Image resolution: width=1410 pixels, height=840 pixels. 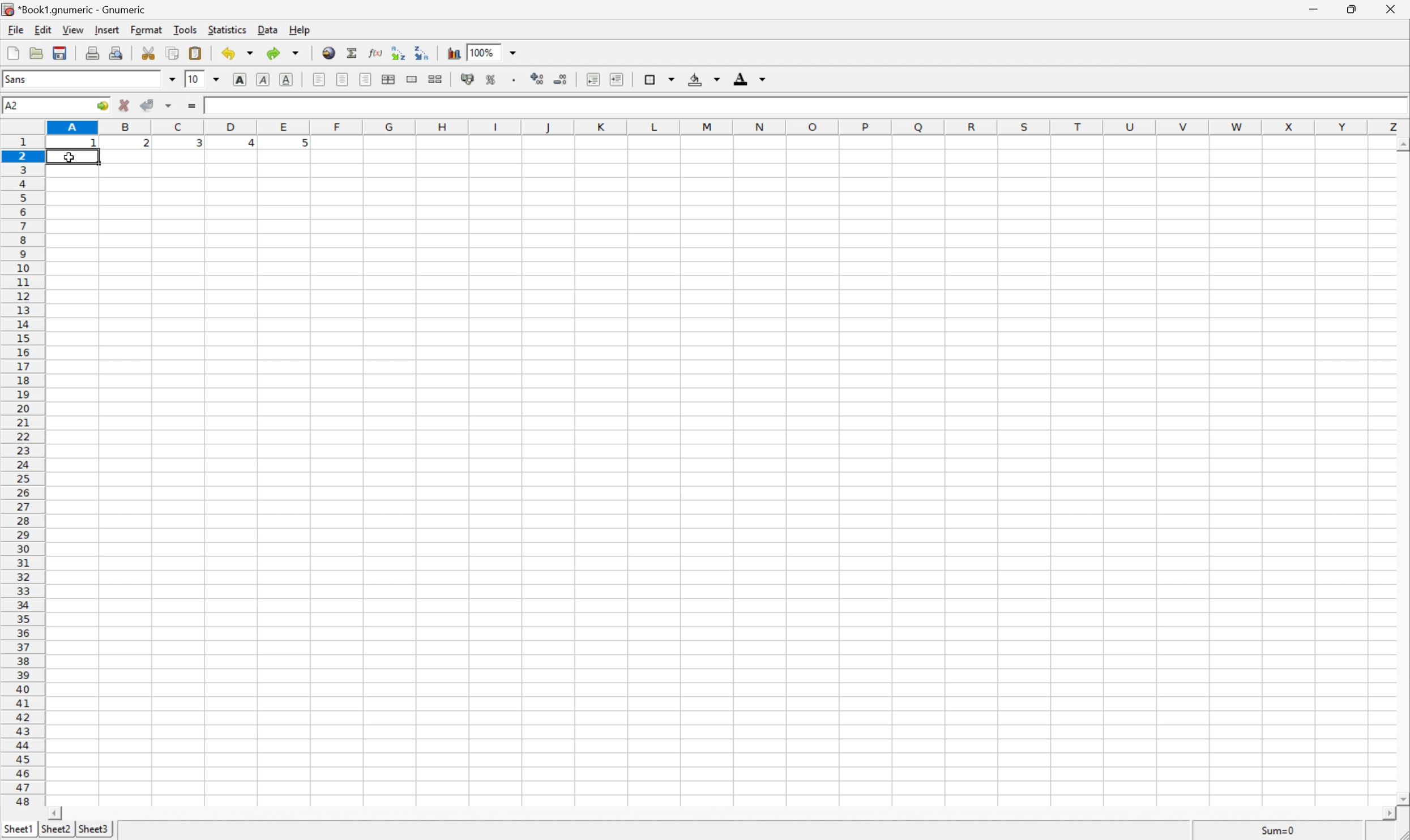 What do you see at coordinates (186, 30) in the screenshot?
I see `tools` at bounding box center [186, 30].